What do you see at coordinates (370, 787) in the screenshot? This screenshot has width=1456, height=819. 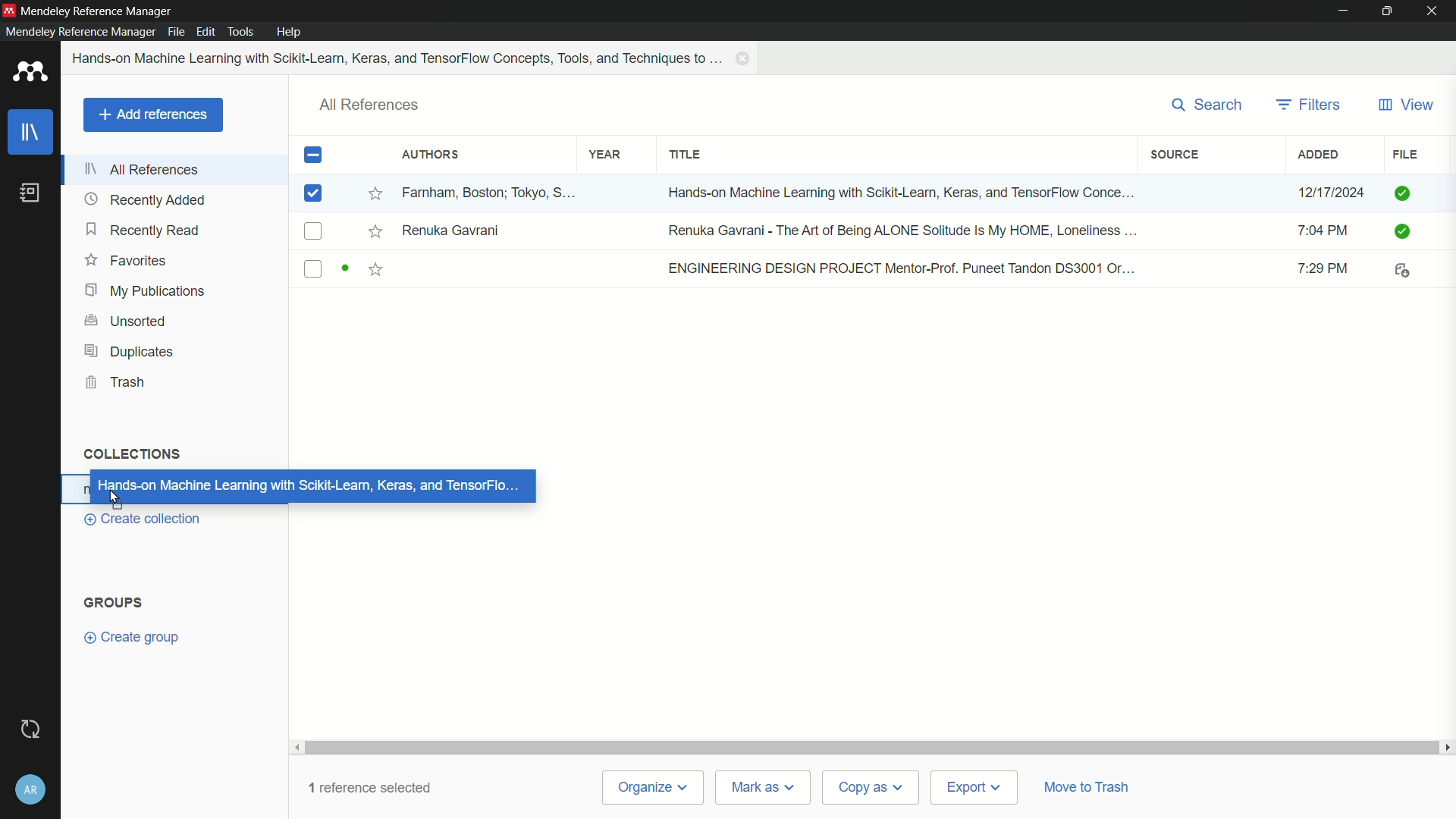 I see `1 reference selected` at bounding box center [370, 787].